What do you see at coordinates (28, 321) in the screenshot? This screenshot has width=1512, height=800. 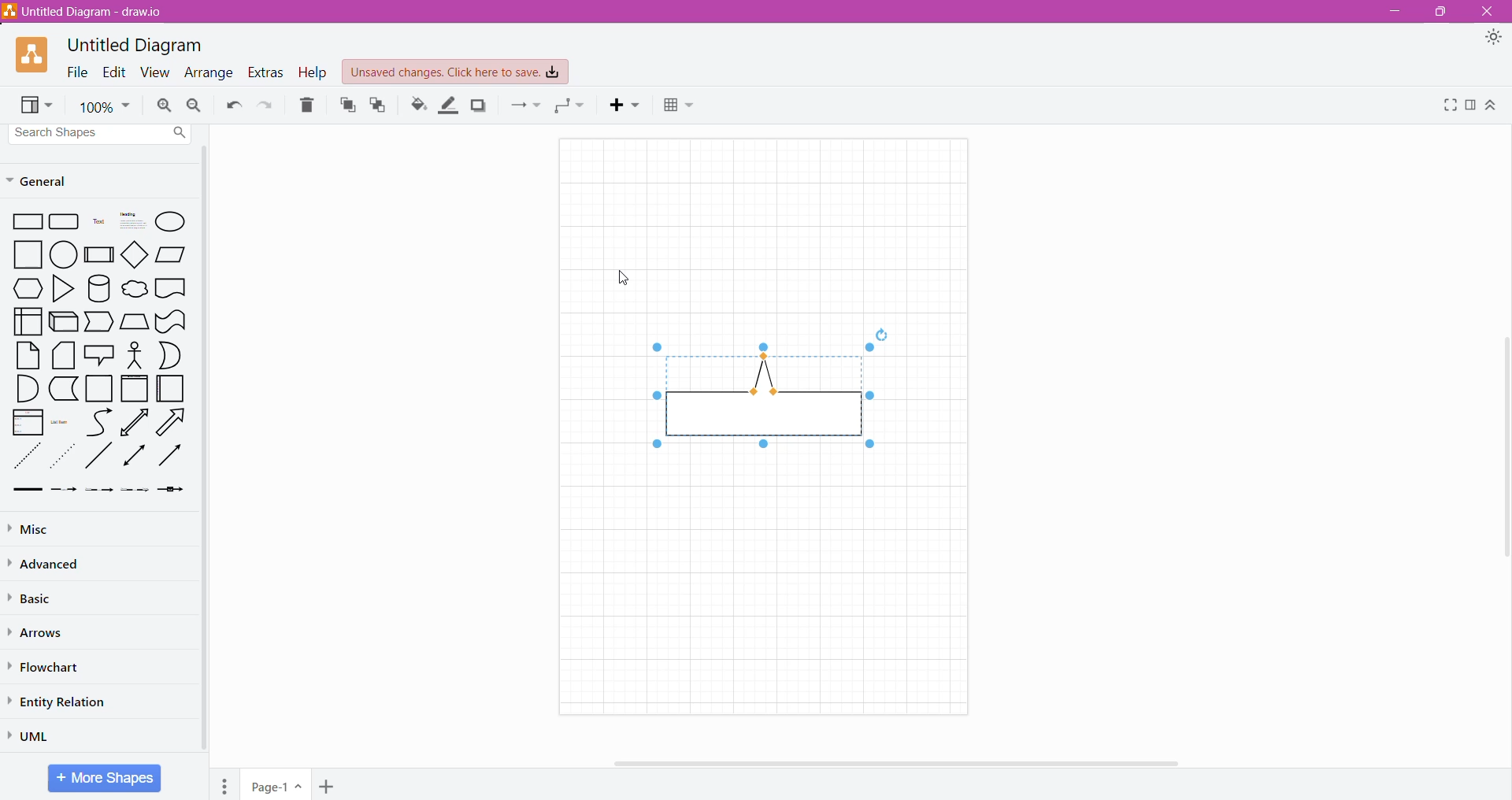 I see `user interface` at bounding box center [28, 321].